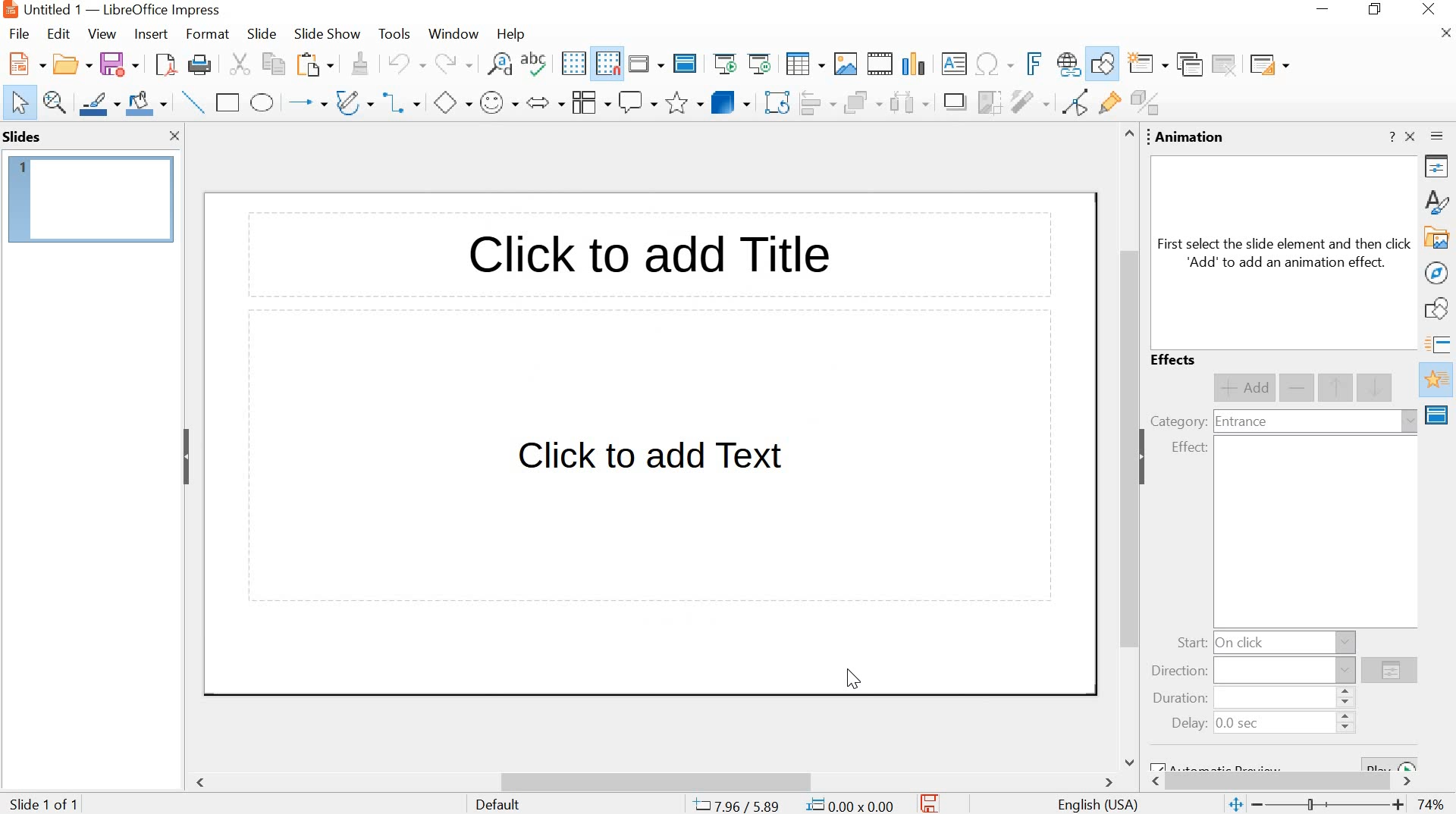 This screenshot has height=814, width=1456. Describe the element at coordinates (1178, 421) in the screenshot. I see `category` at that location.